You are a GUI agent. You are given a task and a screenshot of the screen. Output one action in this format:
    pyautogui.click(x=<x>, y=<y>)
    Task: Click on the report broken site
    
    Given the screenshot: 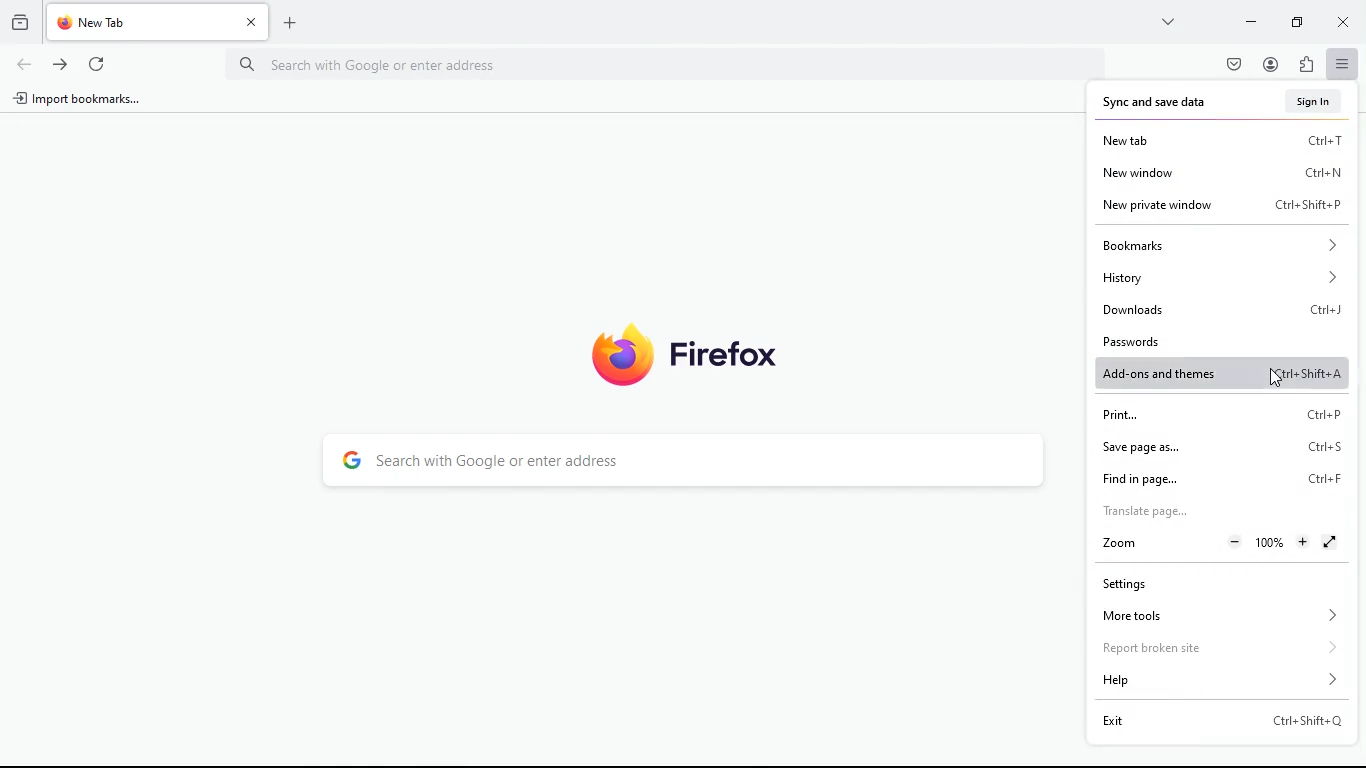 What is the action you would take?
    pyautogui.click(x=1220, y=647)
    